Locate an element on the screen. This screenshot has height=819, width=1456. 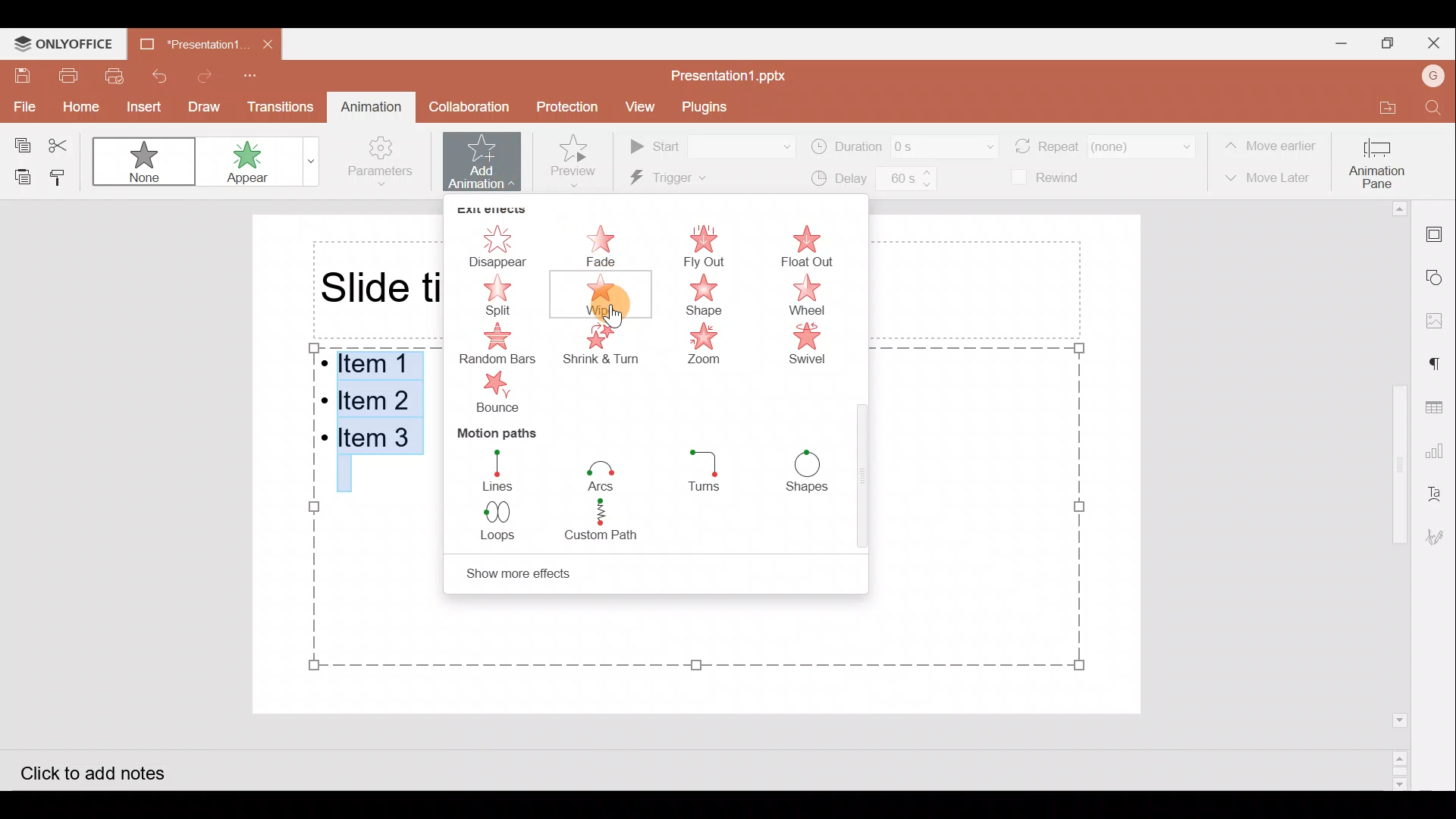
Customize quick access toolbar is located at coordinates (259, 74).